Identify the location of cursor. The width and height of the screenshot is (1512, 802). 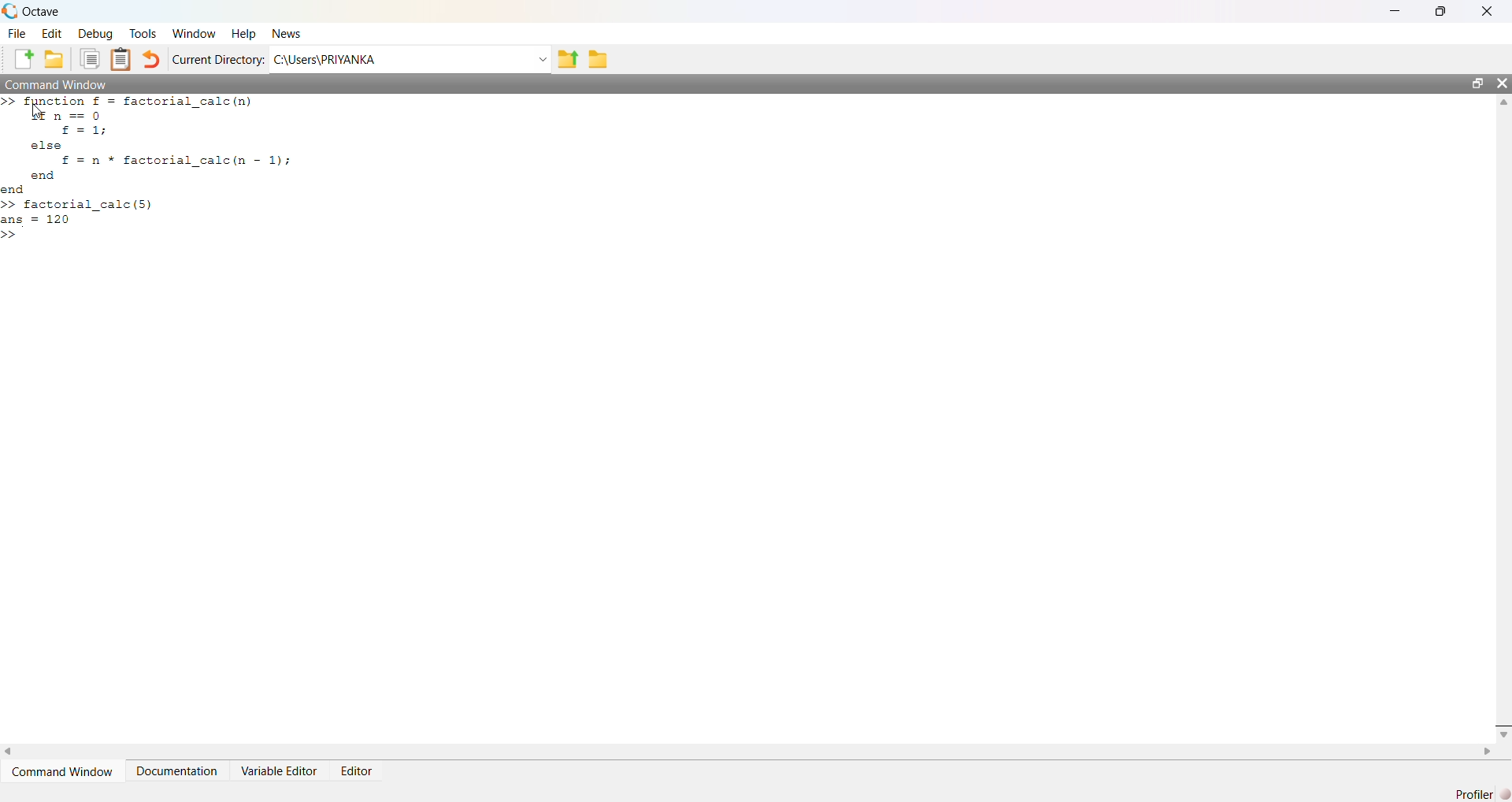
(36, 113).